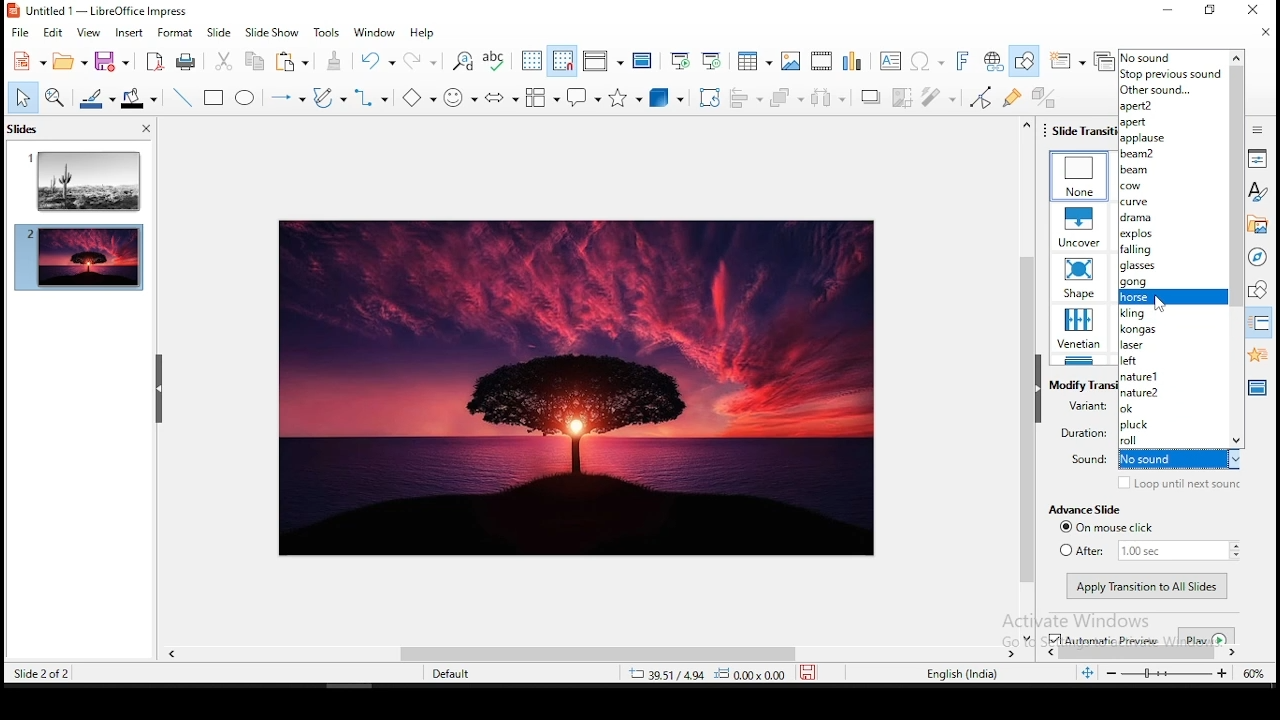 This screenshot has width=1280, height=720. I want to click on block arrows, so click(503, 98).